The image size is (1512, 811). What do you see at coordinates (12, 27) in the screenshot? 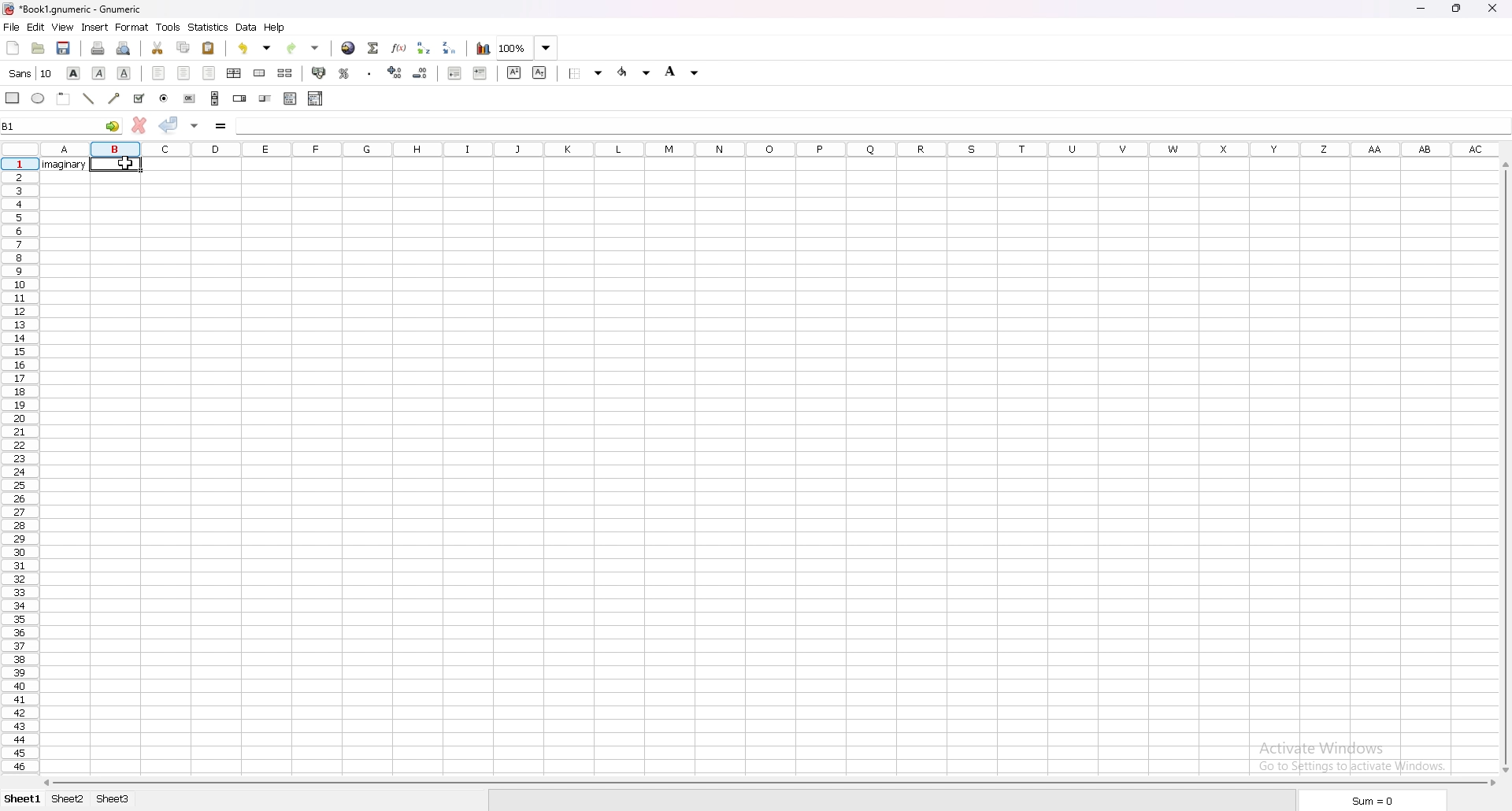
I see `file` at bounding box center [12, 27].